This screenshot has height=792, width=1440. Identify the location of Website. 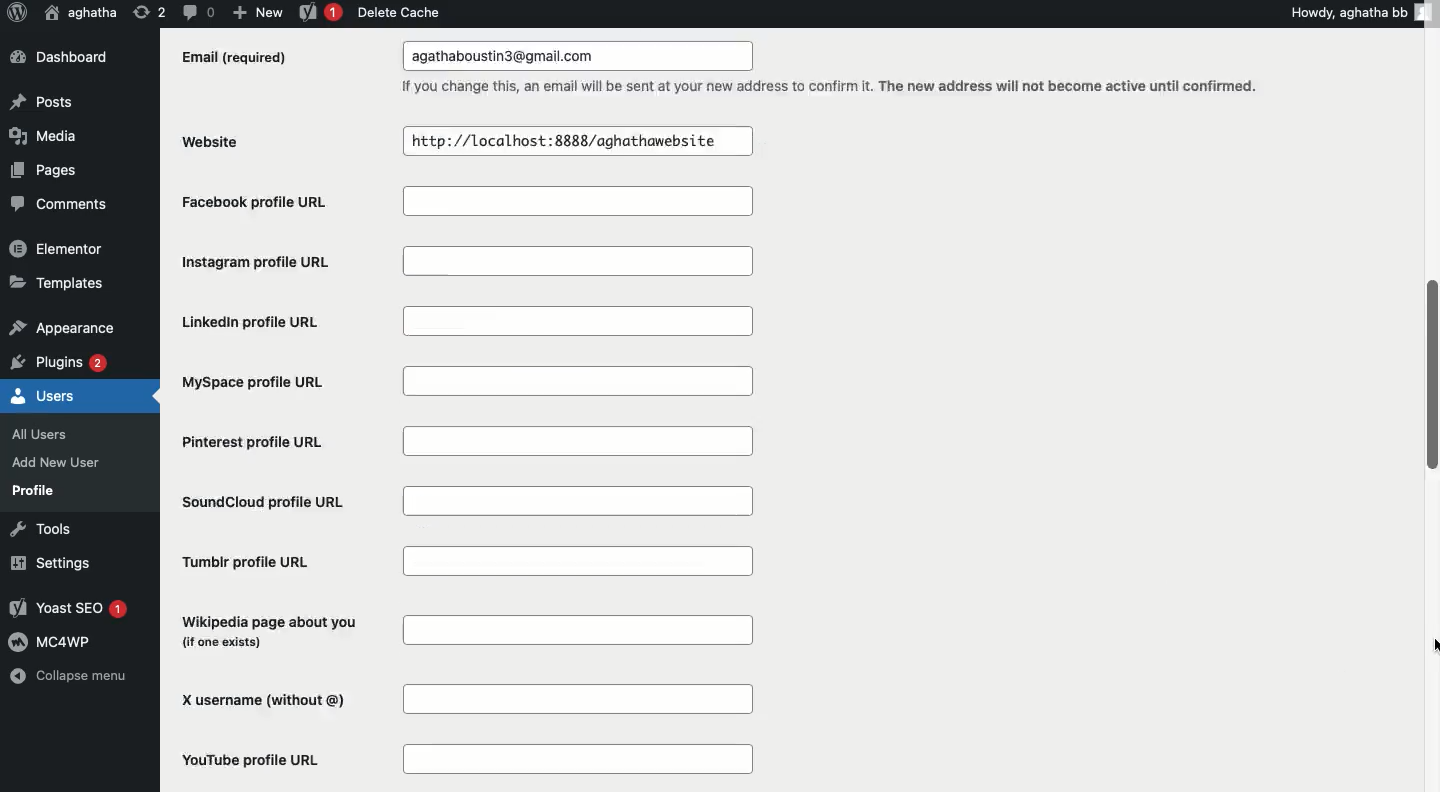
(217, 141).